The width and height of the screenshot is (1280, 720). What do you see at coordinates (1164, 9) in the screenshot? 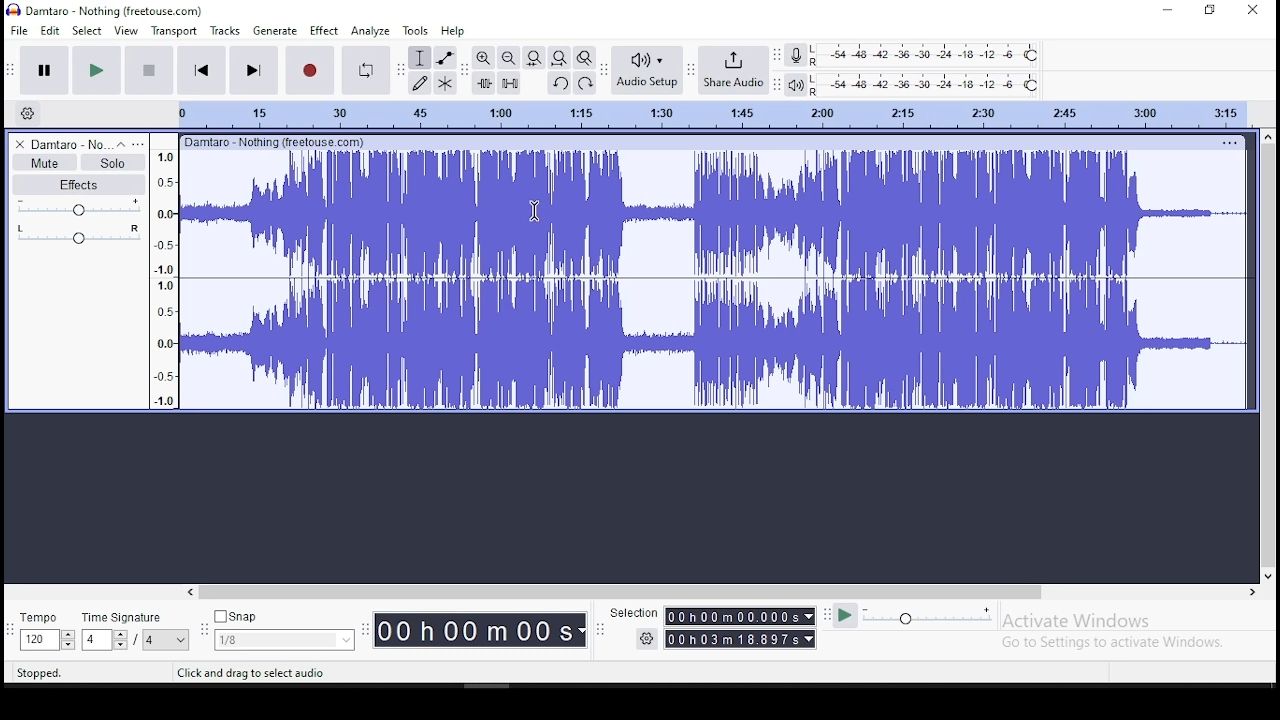
I see `minimize` at bounding box center [1164, 9].